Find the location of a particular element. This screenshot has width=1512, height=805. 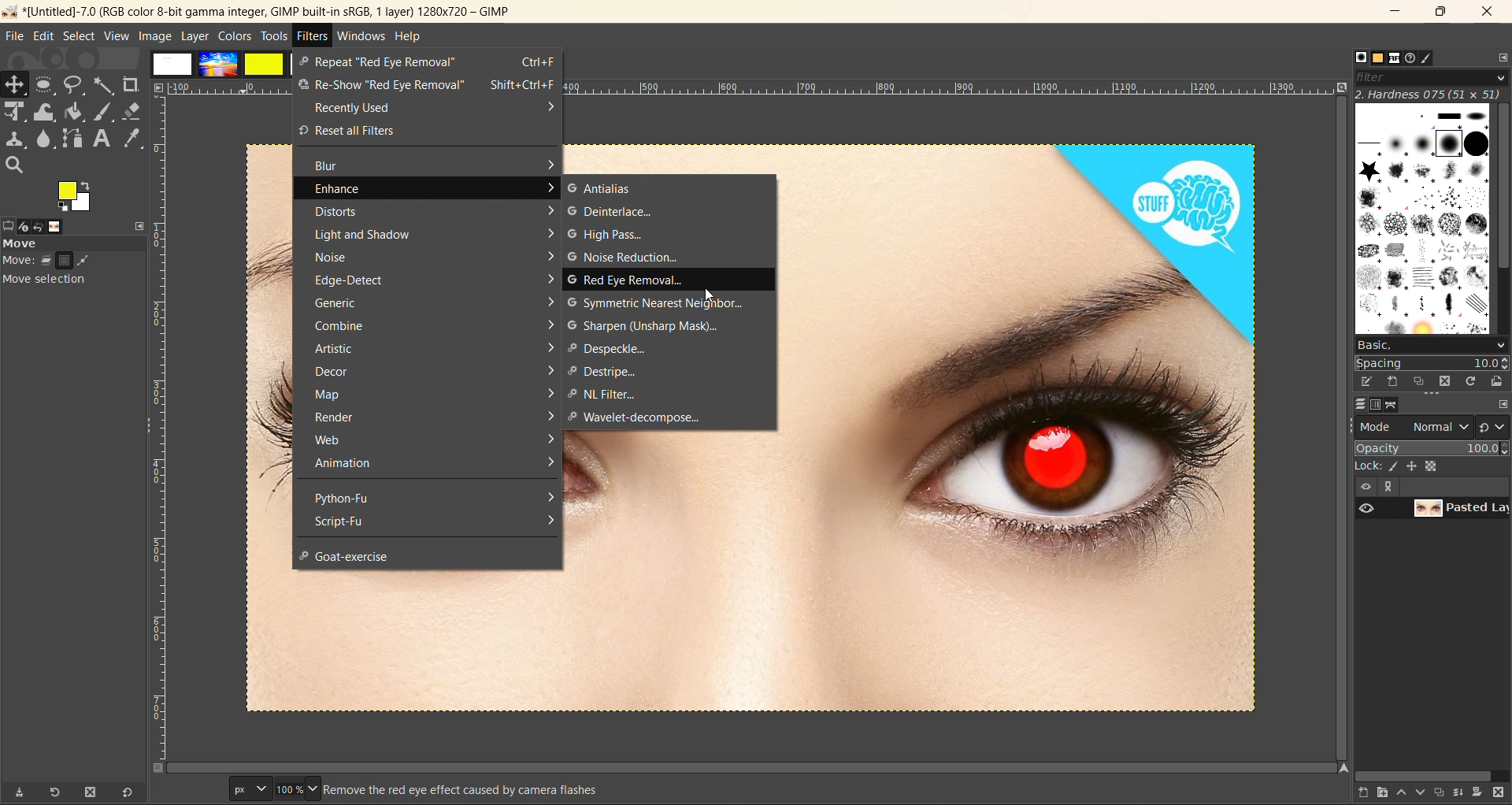

red eye removal is located at coordinates (629, 280).